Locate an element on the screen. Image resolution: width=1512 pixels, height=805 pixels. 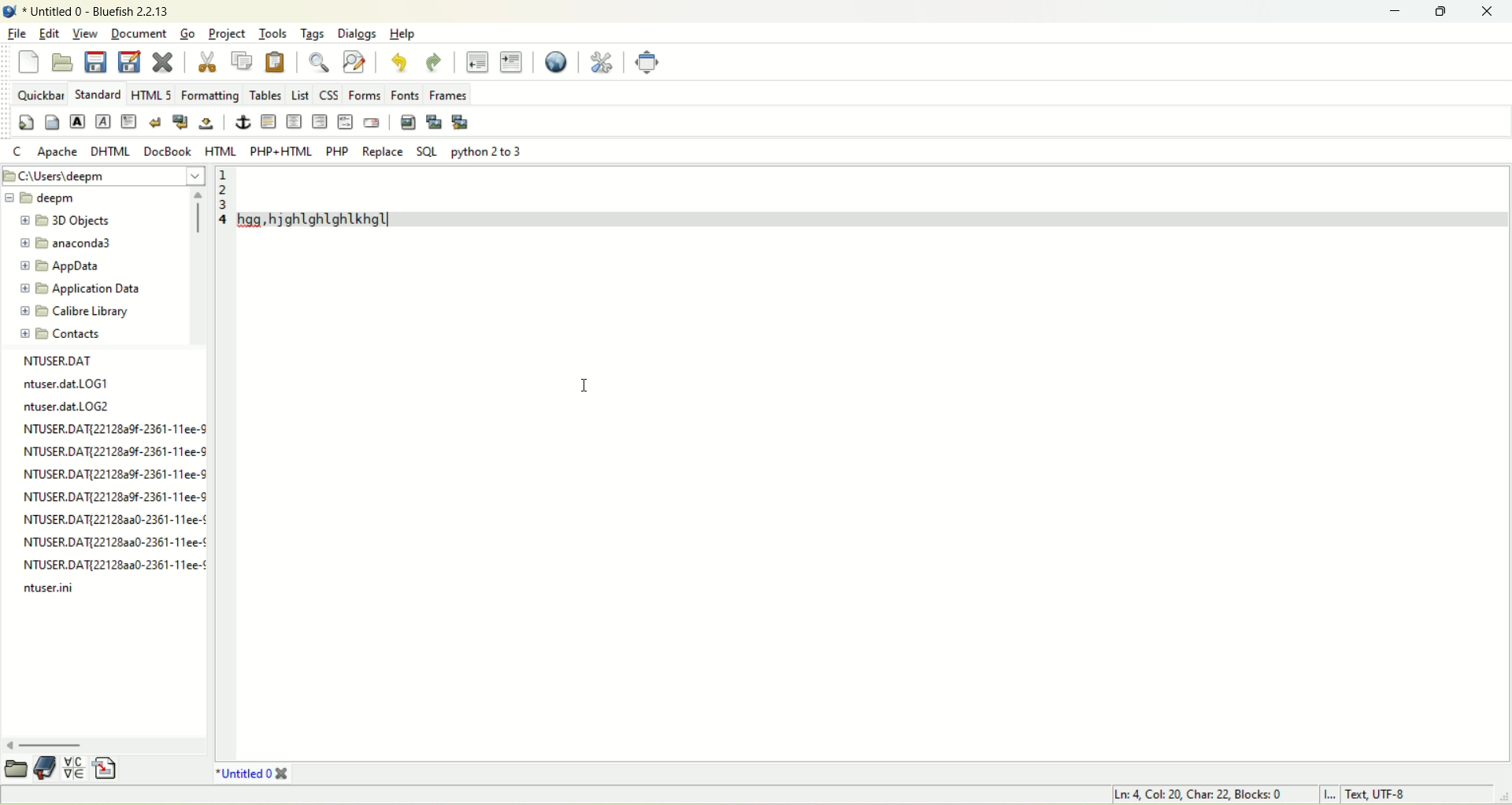
file is located at coordinates (17, 35).